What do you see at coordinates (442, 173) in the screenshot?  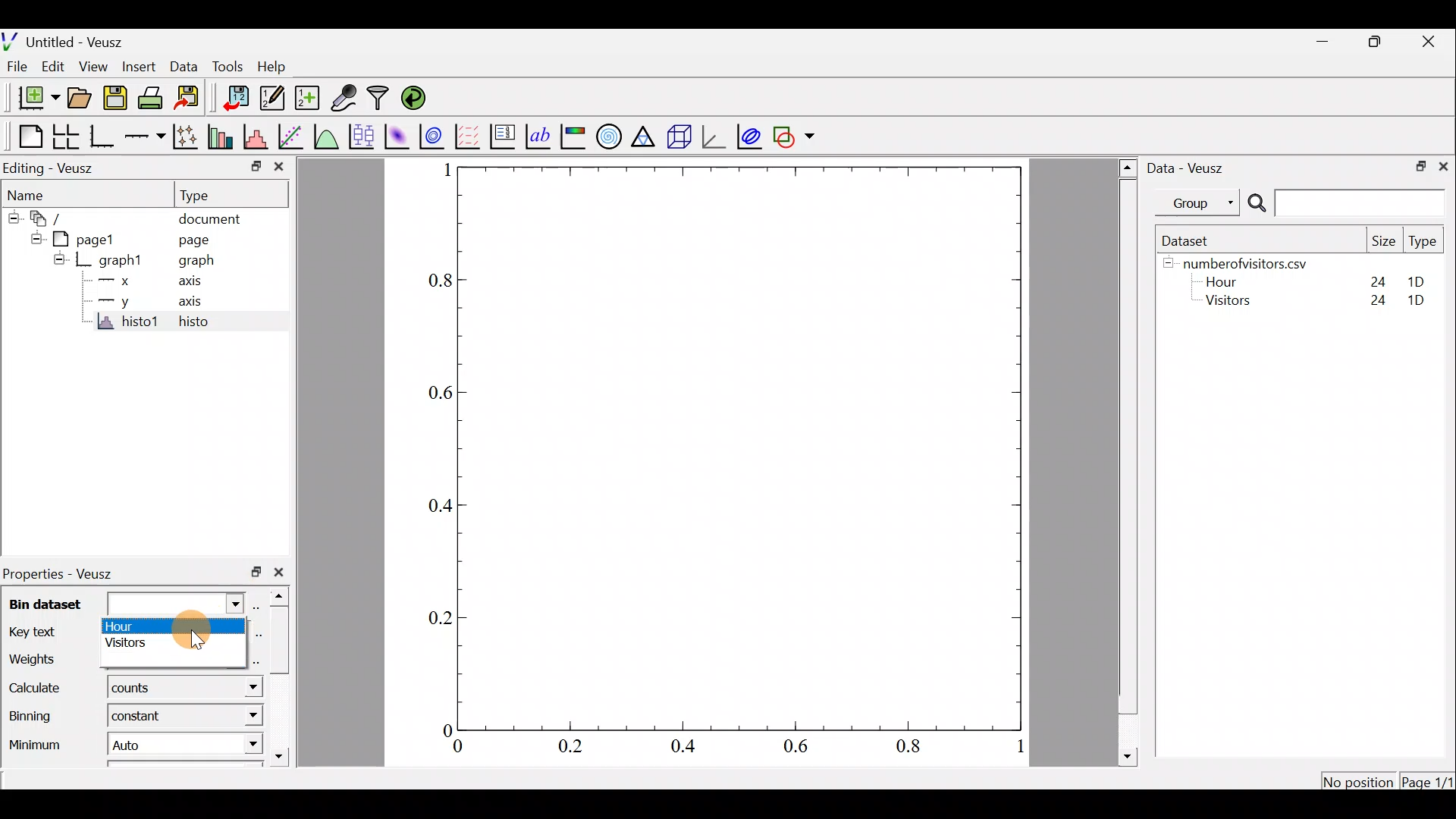 I see `1` at bounding box center [442, 173].